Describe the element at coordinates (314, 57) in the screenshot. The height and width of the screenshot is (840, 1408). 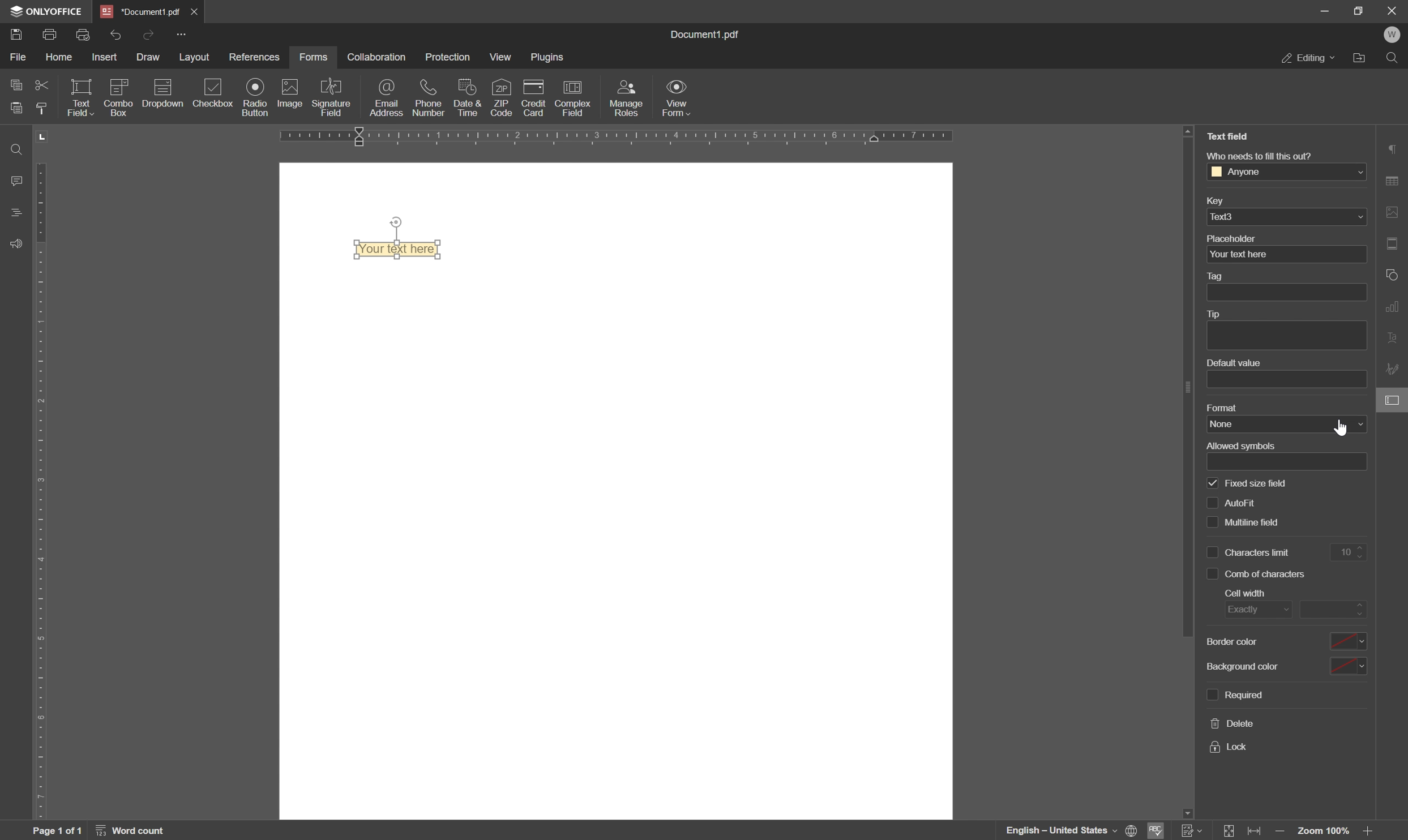
I see `forms` at that location.